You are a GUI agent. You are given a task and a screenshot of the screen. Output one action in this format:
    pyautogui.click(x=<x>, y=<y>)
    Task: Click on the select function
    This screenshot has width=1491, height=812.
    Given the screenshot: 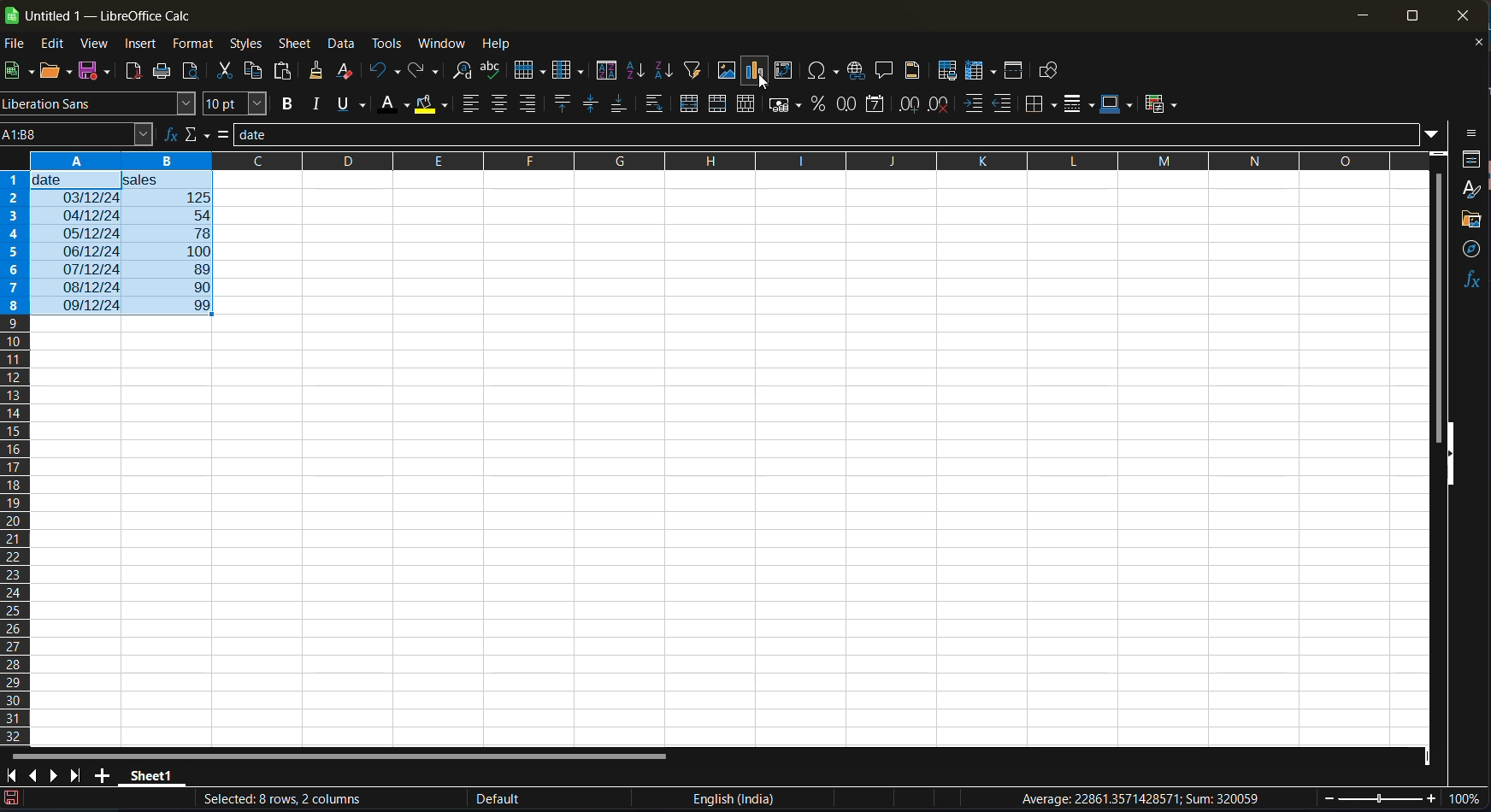 What is the action you would take?
    pyautogui.click(x=196, y=134)
    